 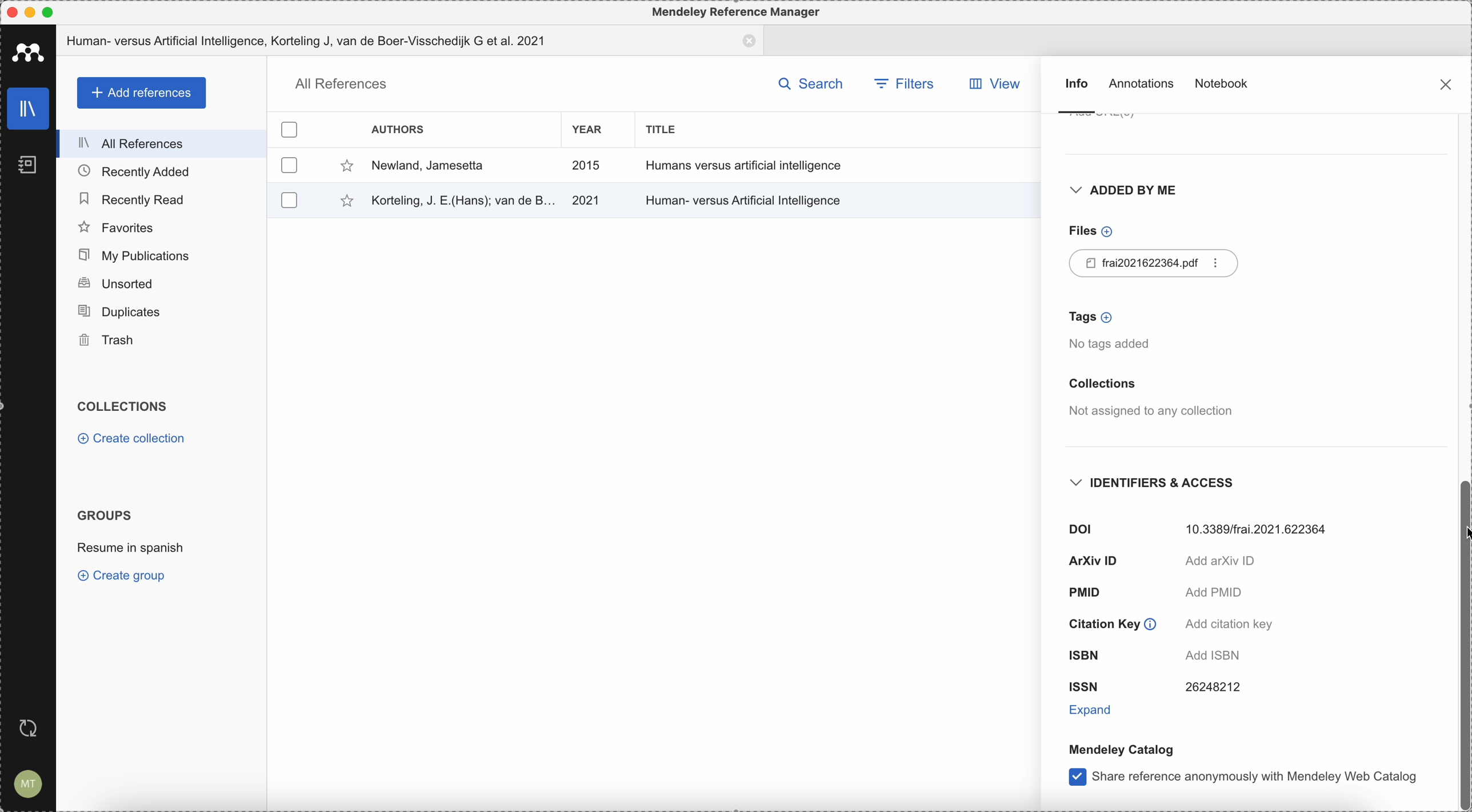 I want to click on files, so click(x=1089, y=231).